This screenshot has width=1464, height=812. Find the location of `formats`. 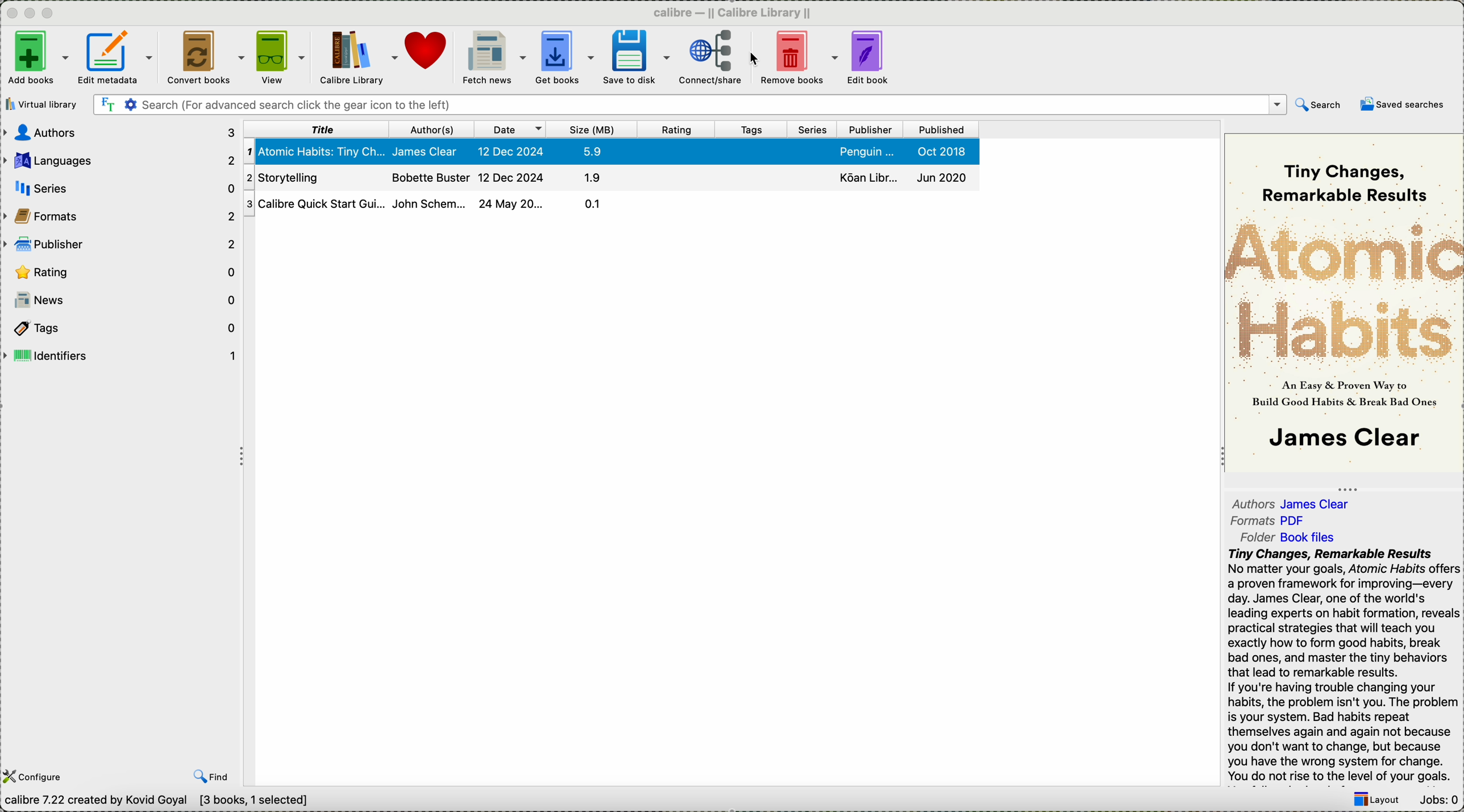

formats is located at coordinates (1271, 521).